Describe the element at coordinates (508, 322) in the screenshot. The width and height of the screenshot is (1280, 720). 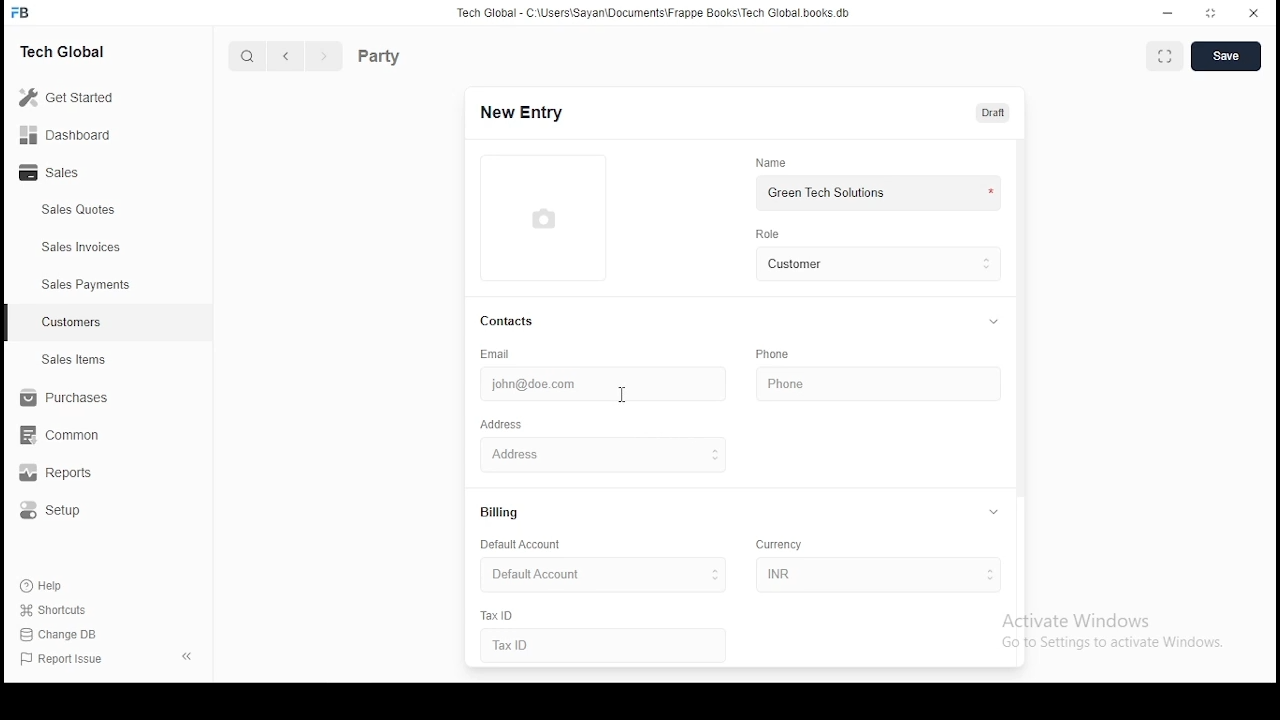
I see `contacts` at that location.